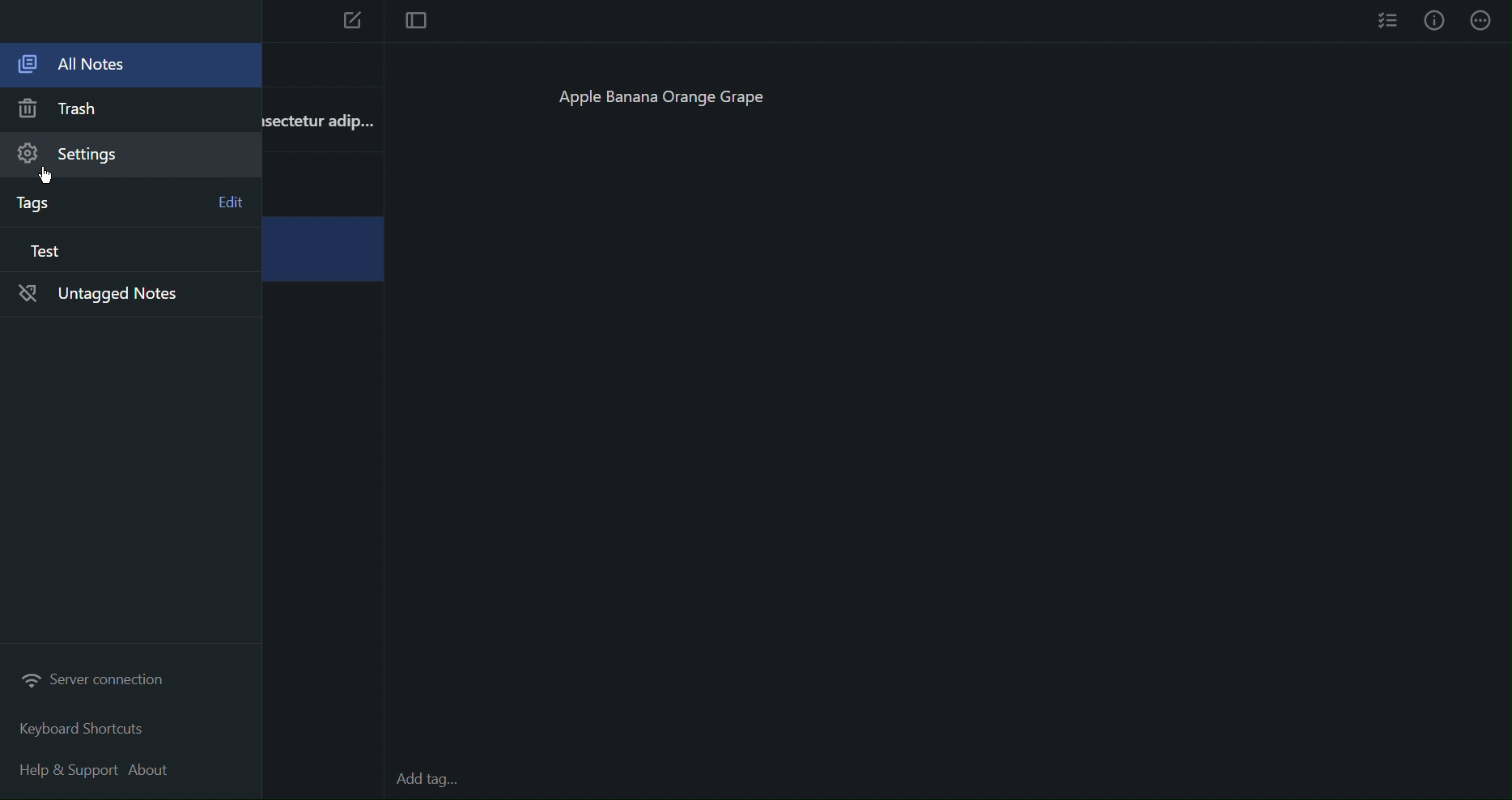  What do you see at coordinates (70, 767) in the screenshot?
I see `Help and Support` at bounding box center [70, 767].